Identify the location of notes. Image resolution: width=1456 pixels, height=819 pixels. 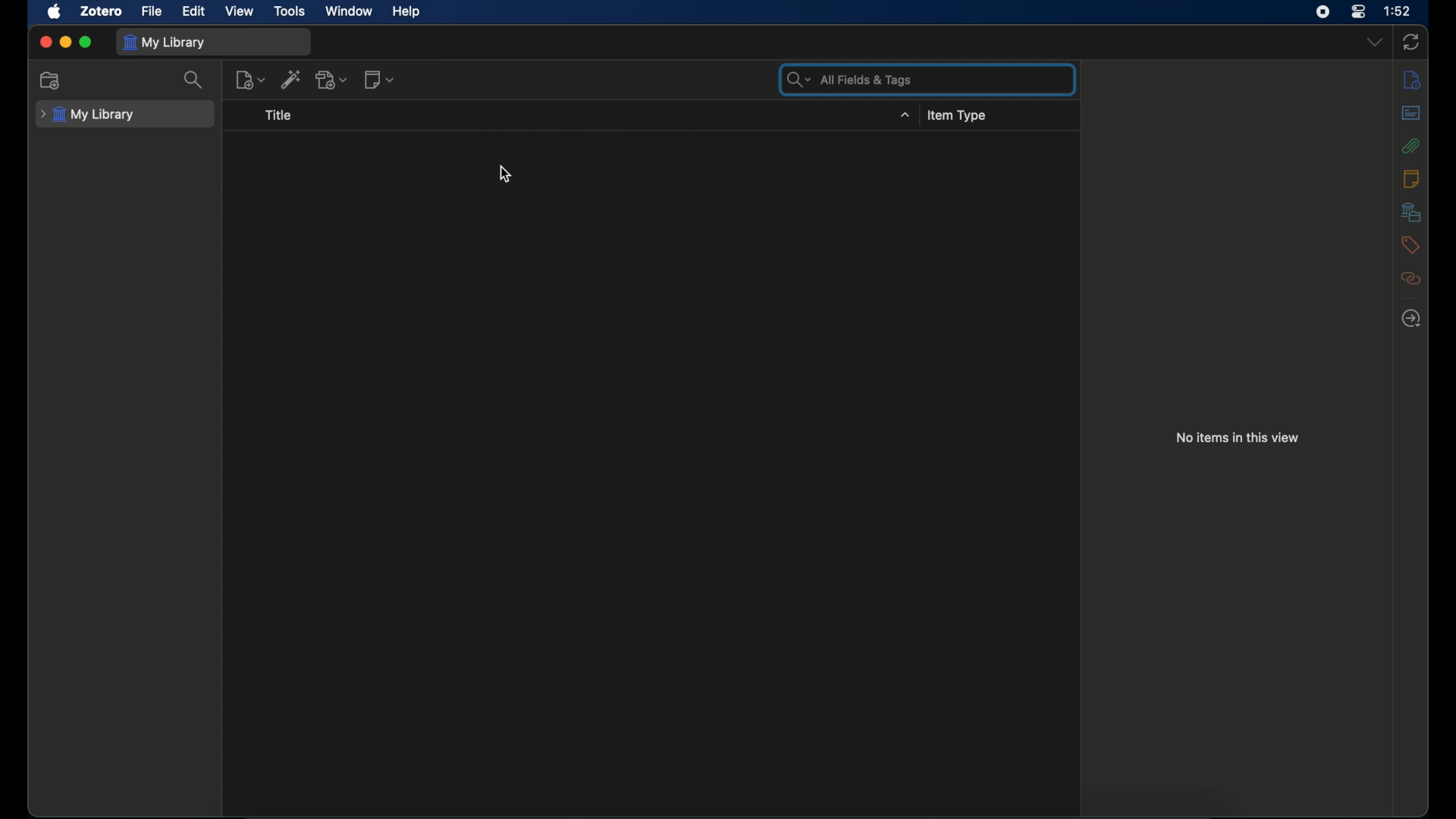
(1411, 178).